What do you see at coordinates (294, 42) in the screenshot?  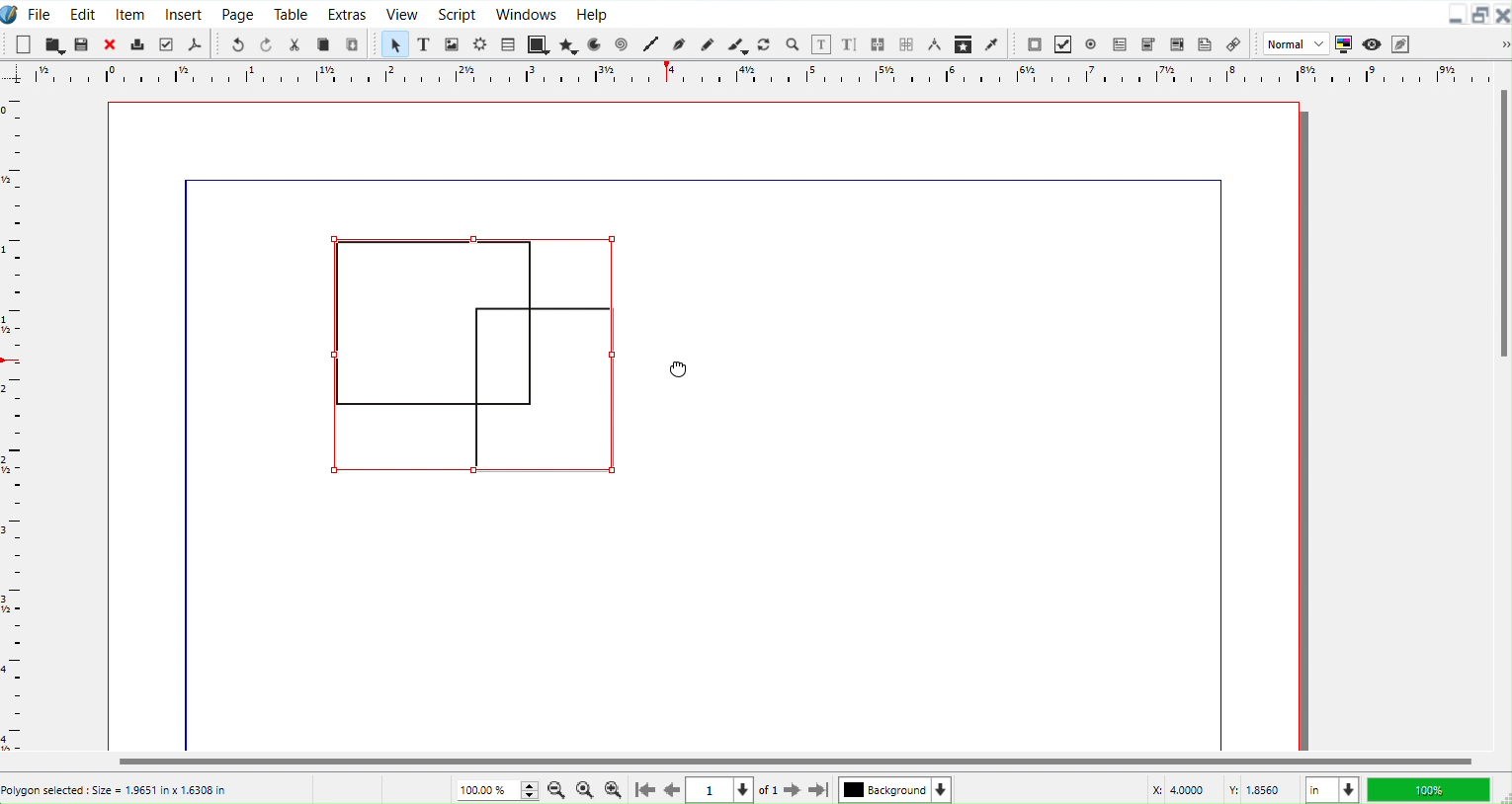 I see `Cut` at bounding box center [294, 42].